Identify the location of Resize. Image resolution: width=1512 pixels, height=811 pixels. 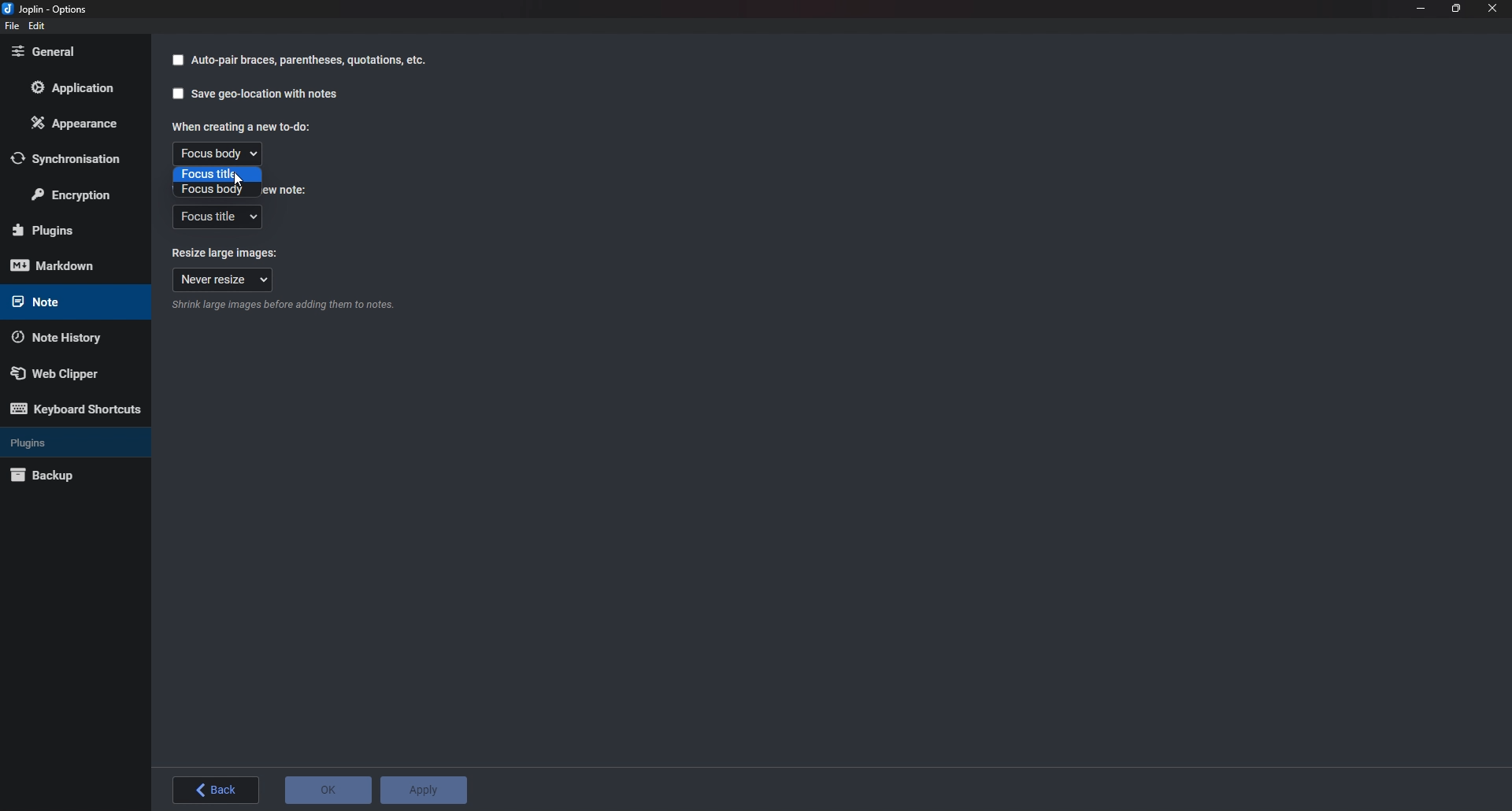
(1456, 9).